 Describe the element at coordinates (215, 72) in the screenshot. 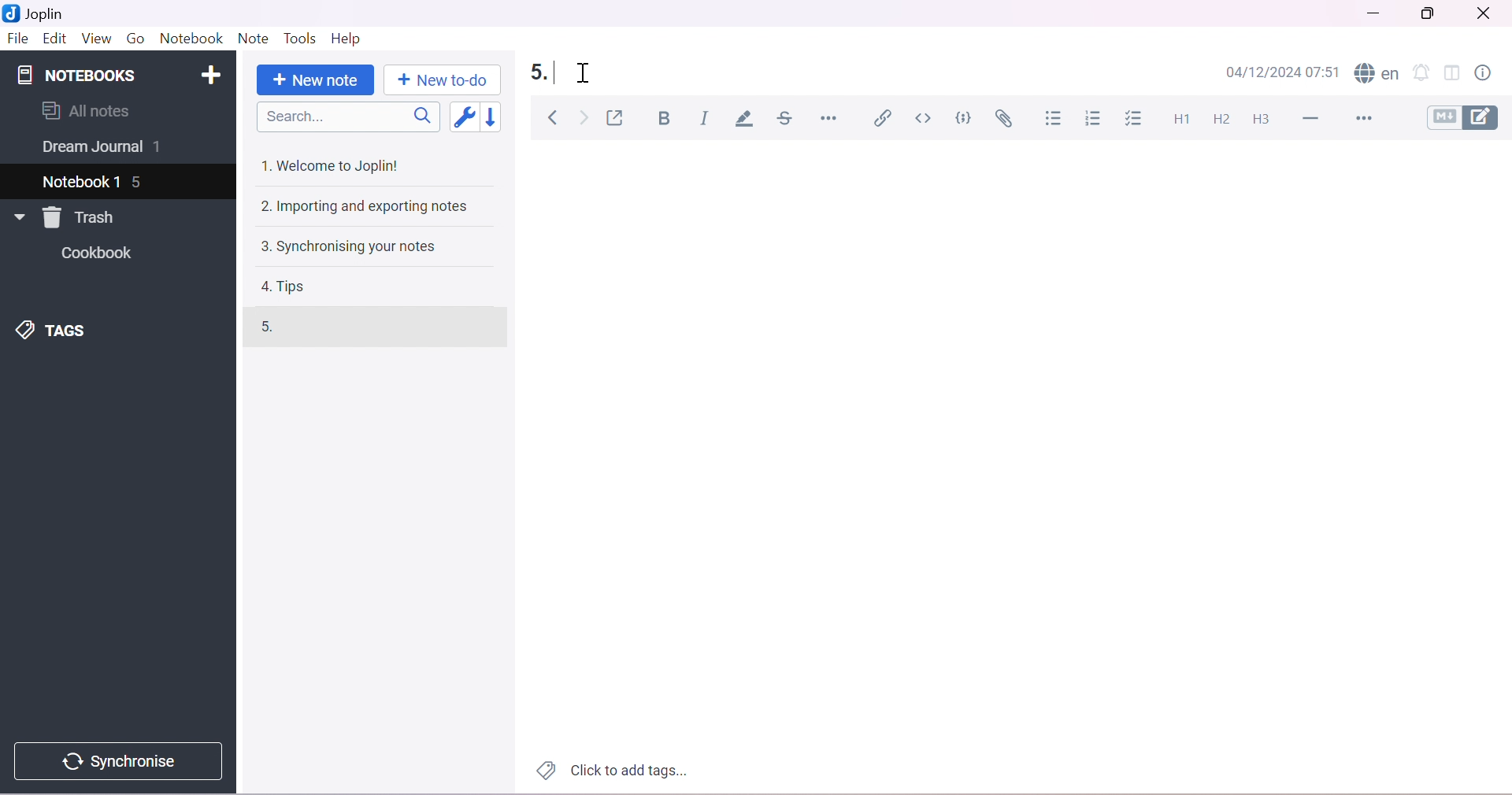

I see `Add notebook` at that location.